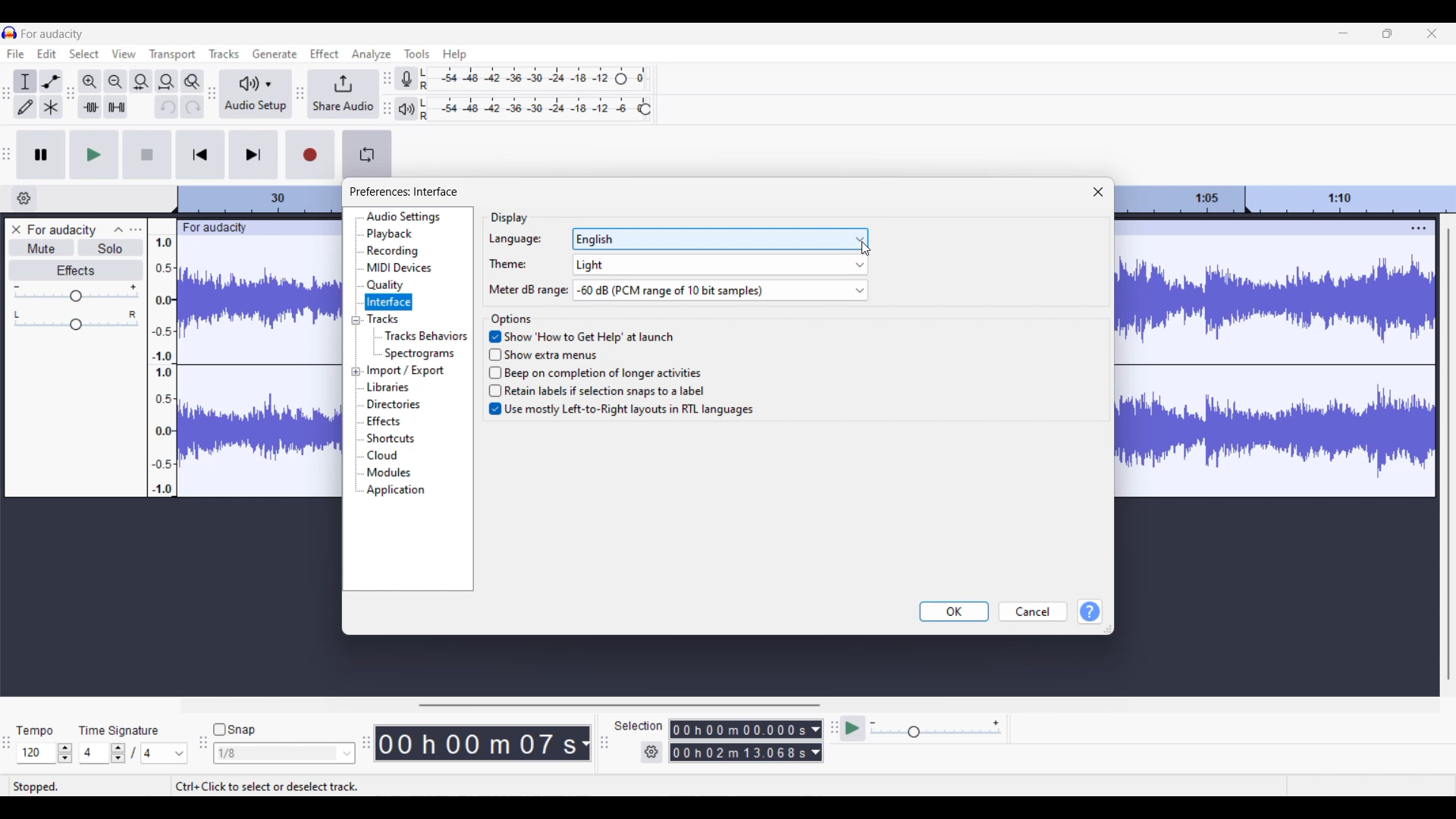 The height and width of the screenshot is (819, 1456). Describe the element at coordinates (817, 741) in the screenshot. I see `Duration measurement` at that location.